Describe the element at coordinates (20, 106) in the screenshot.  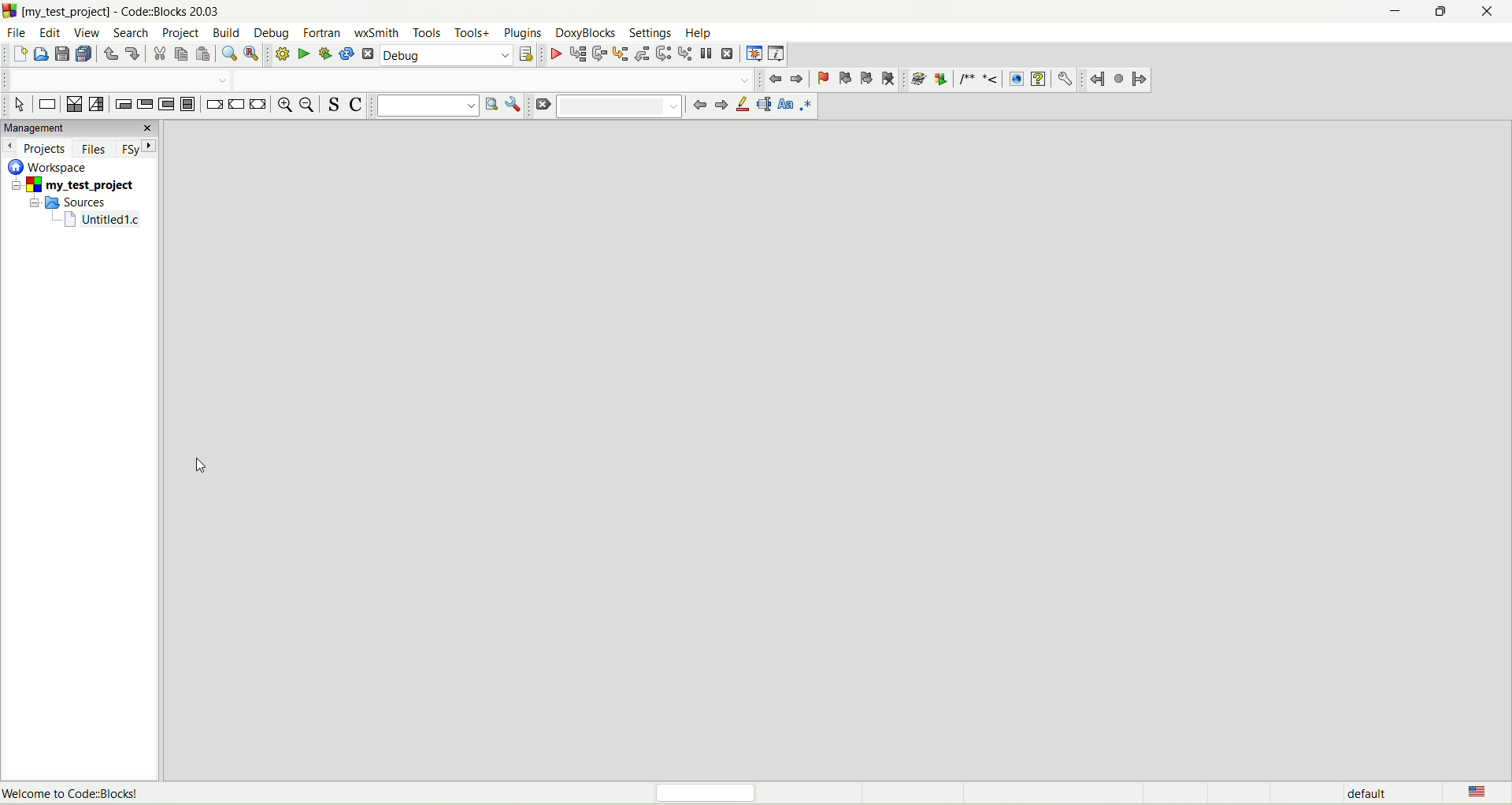
I see `select` at that location.